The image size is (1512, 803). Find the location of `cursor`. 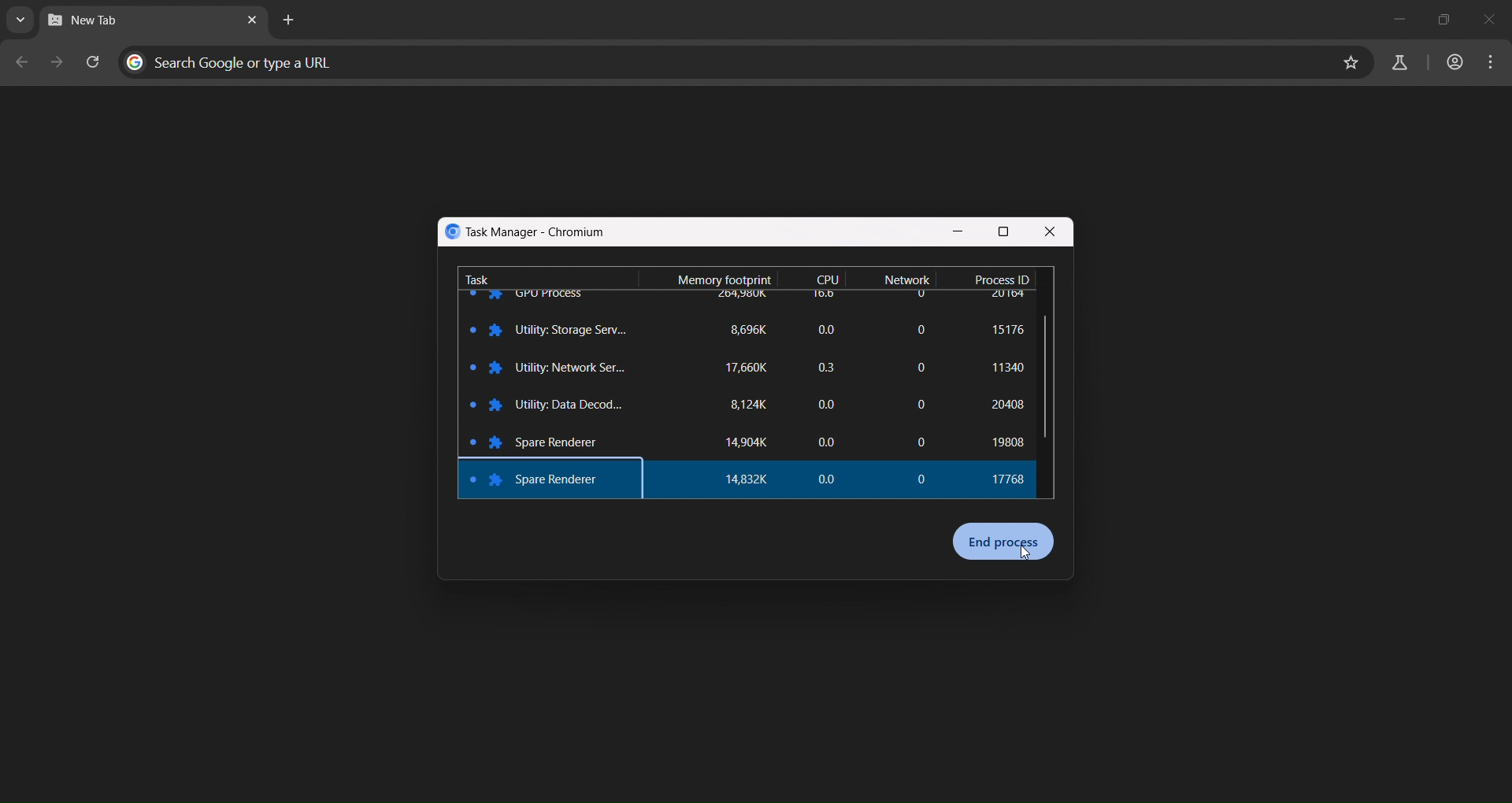

cursor is located at coordinates (1027, 554).